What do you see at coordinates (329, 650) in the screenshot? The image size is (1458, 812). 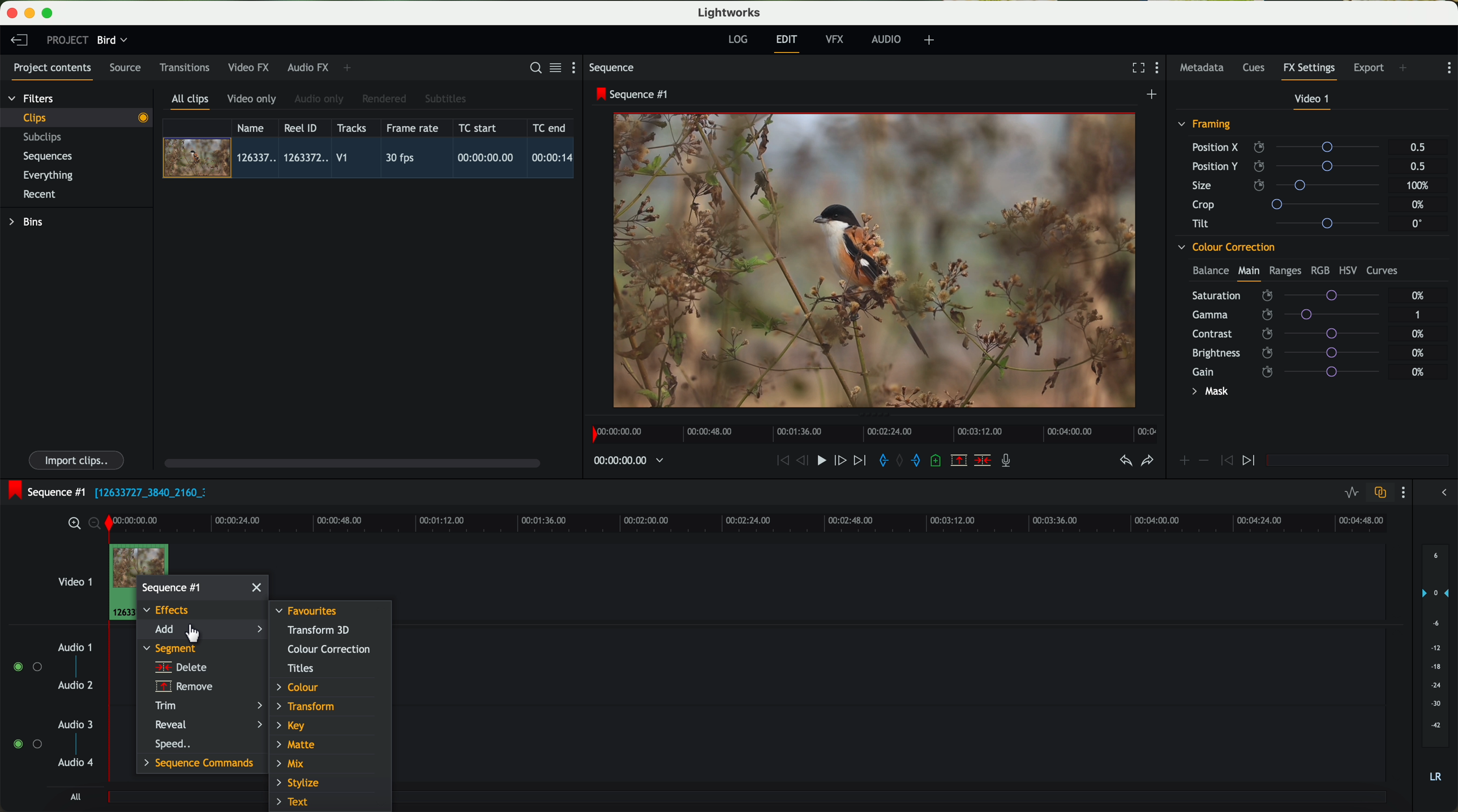 I see `colour correction` at bounding box center [329, 650].